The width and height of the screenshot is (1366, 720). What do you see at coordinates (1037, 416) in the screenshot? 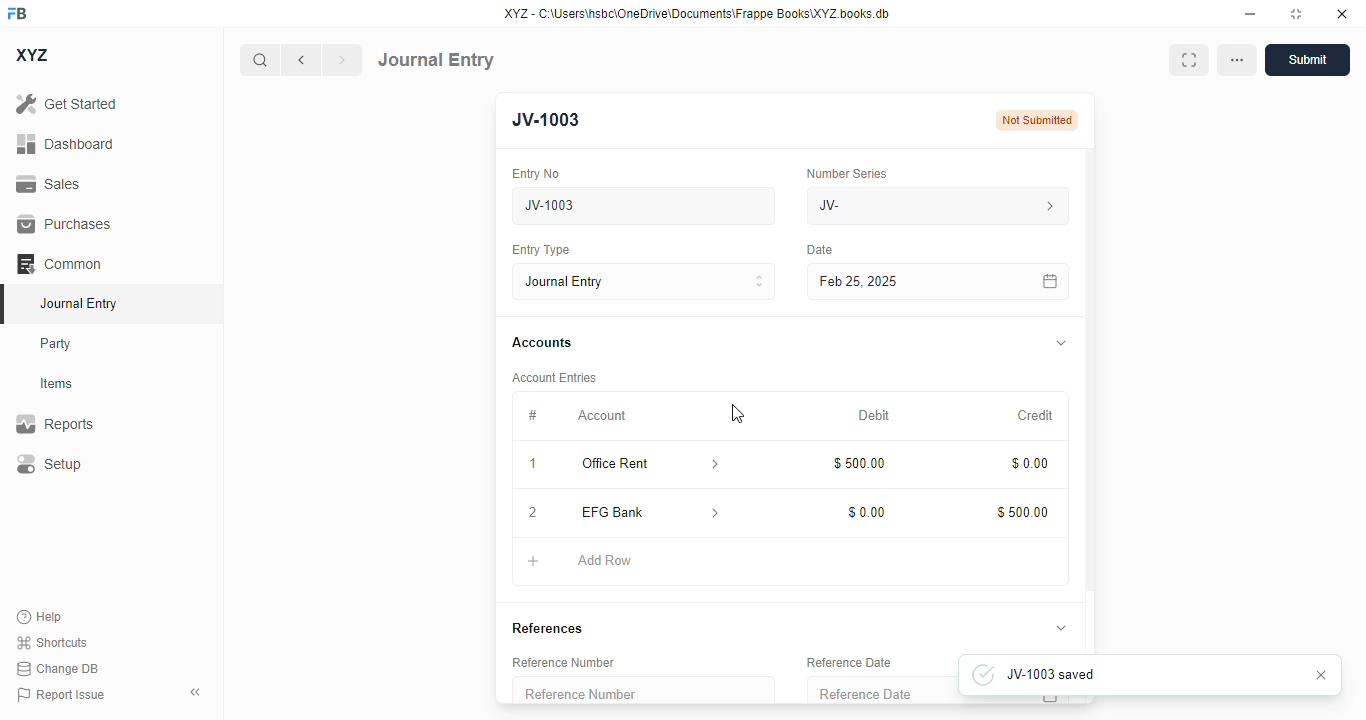
I see `credit` at bounding box center [1037, 416].